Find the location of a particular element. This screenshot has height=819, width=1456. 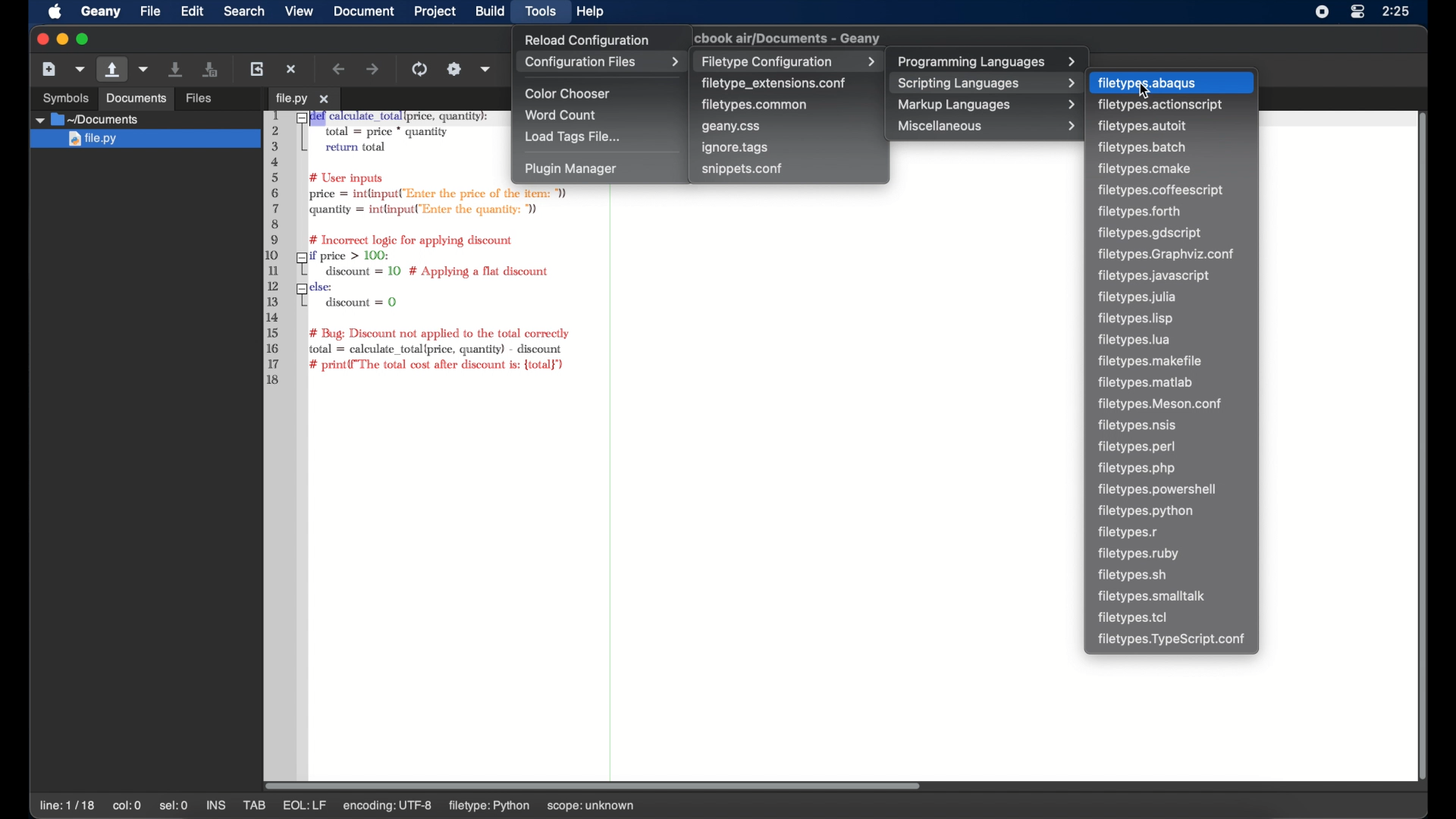

filetype is located at coordinates (1148, 83).